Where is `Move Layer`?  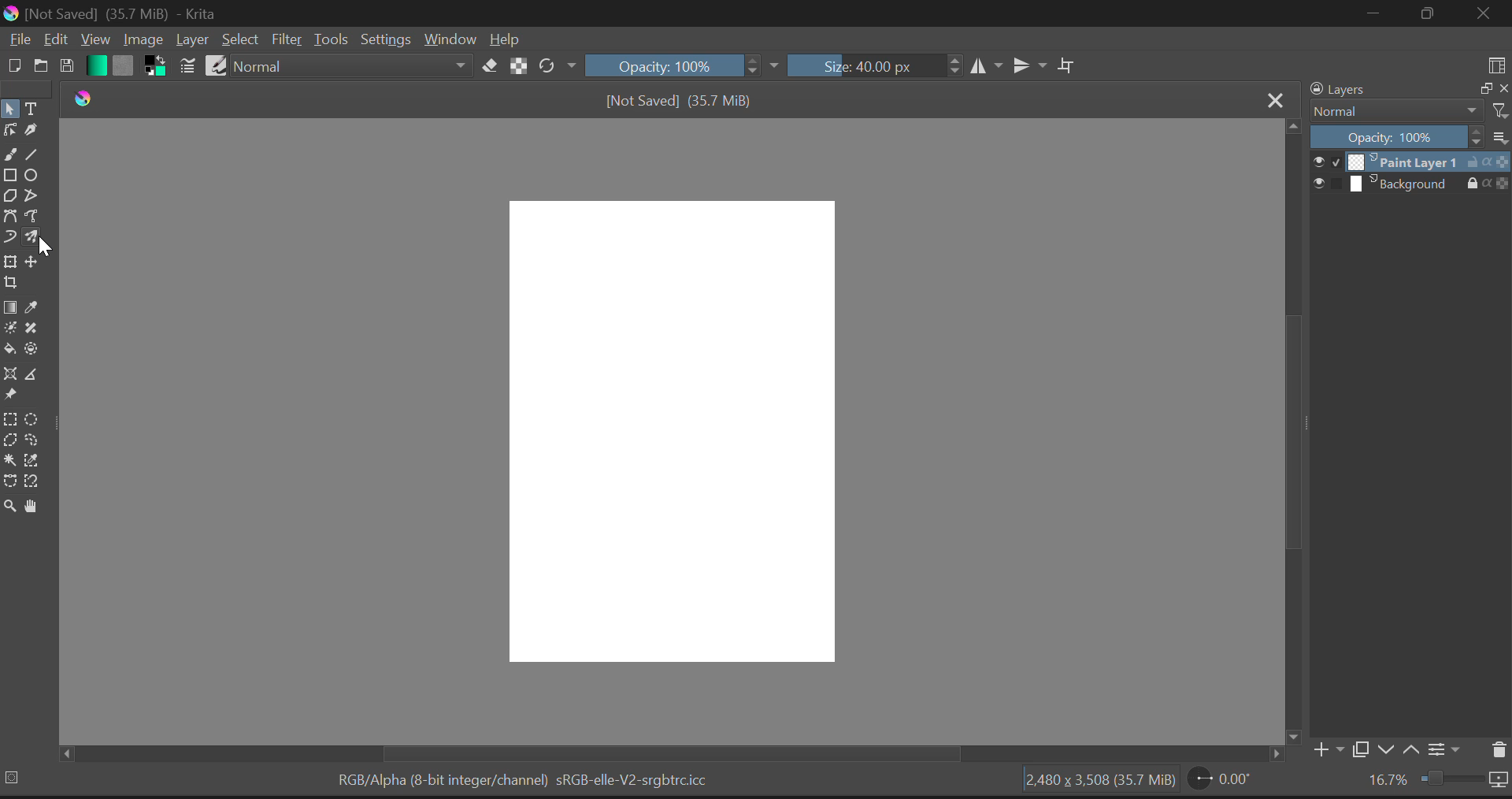
Move Layer is located at coordinates (35, 263).